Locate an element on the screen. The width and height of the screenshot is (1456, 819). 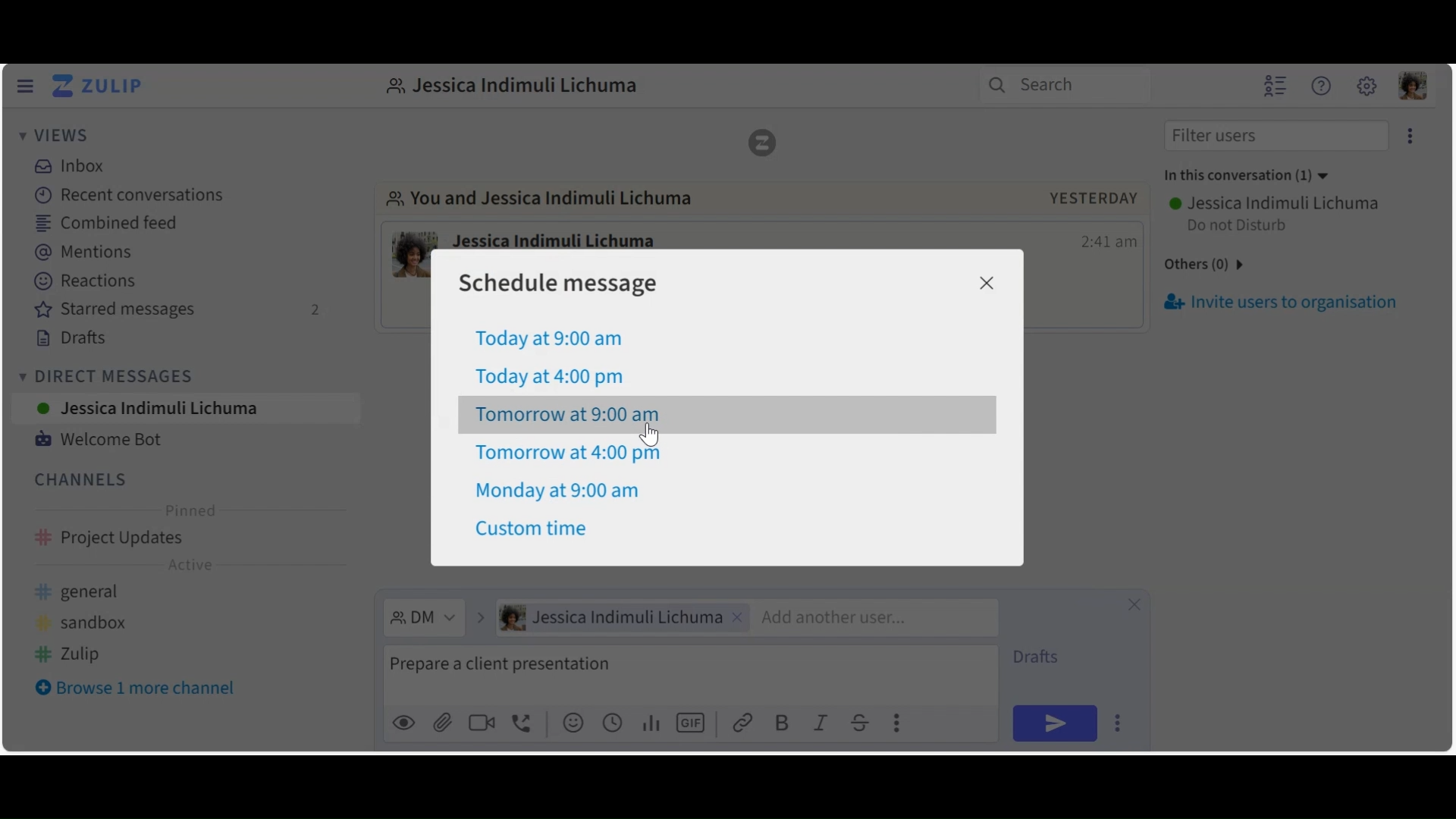
Add Call is located at coordinates (526, 721).